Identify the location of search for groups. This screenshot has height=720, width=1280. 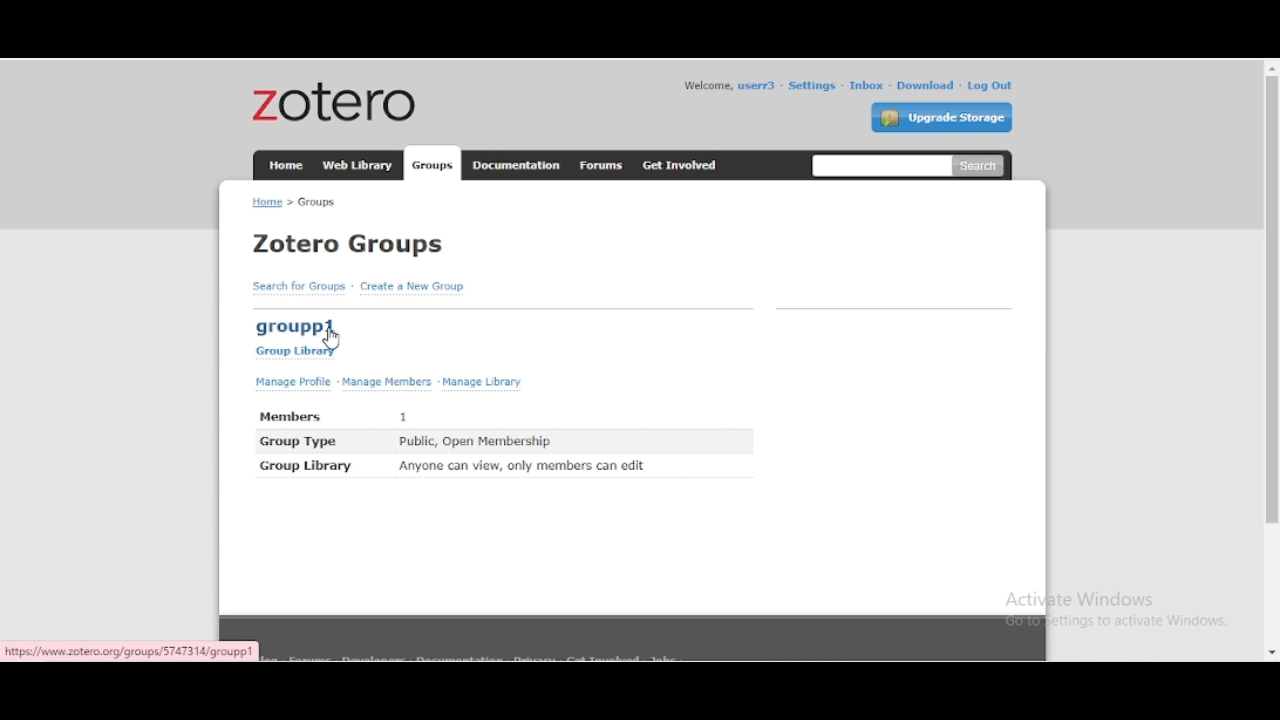
(299, 286).